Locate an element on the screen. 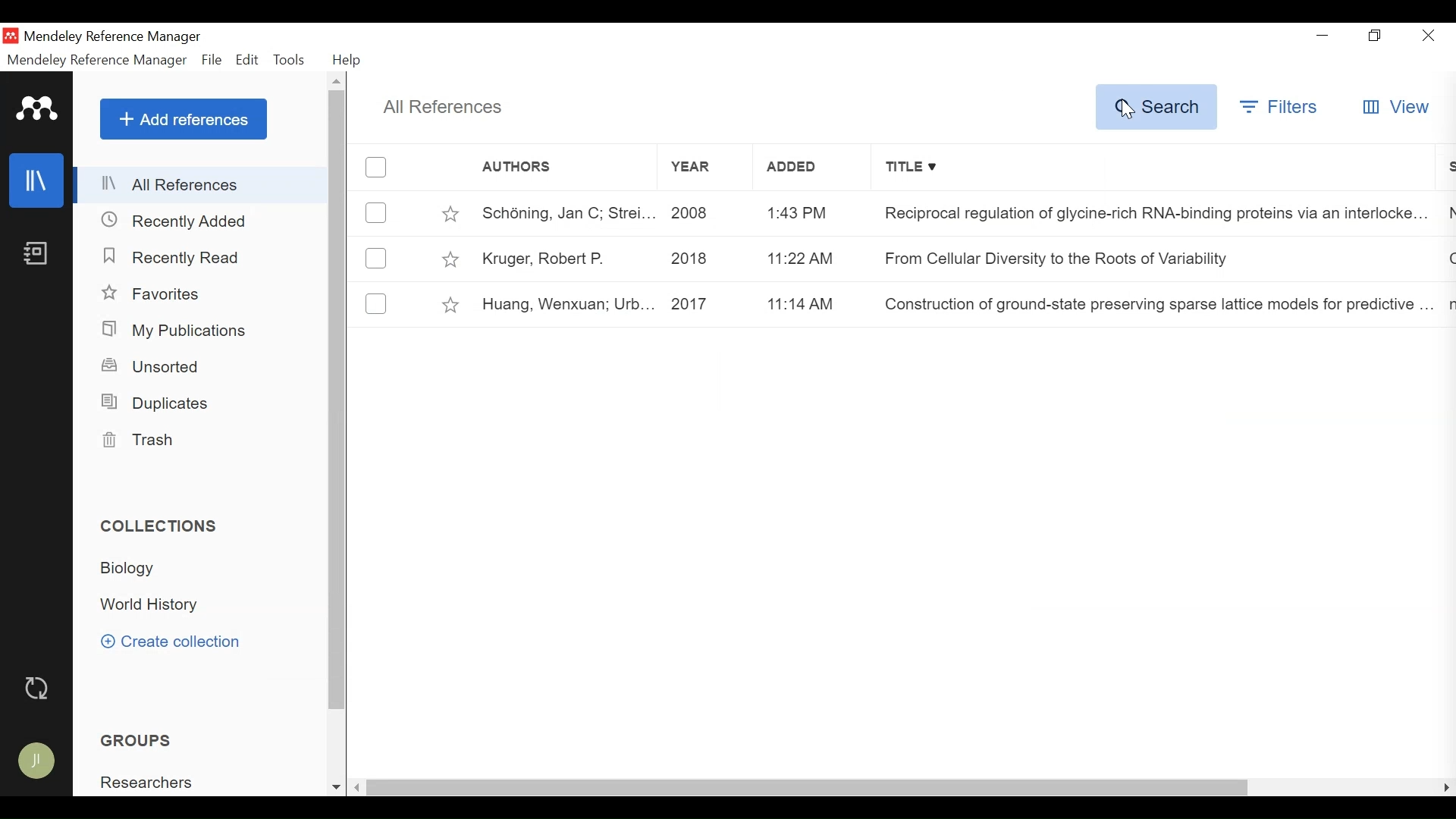  Kruger, Robert P. is located at coordinates (563, 258).